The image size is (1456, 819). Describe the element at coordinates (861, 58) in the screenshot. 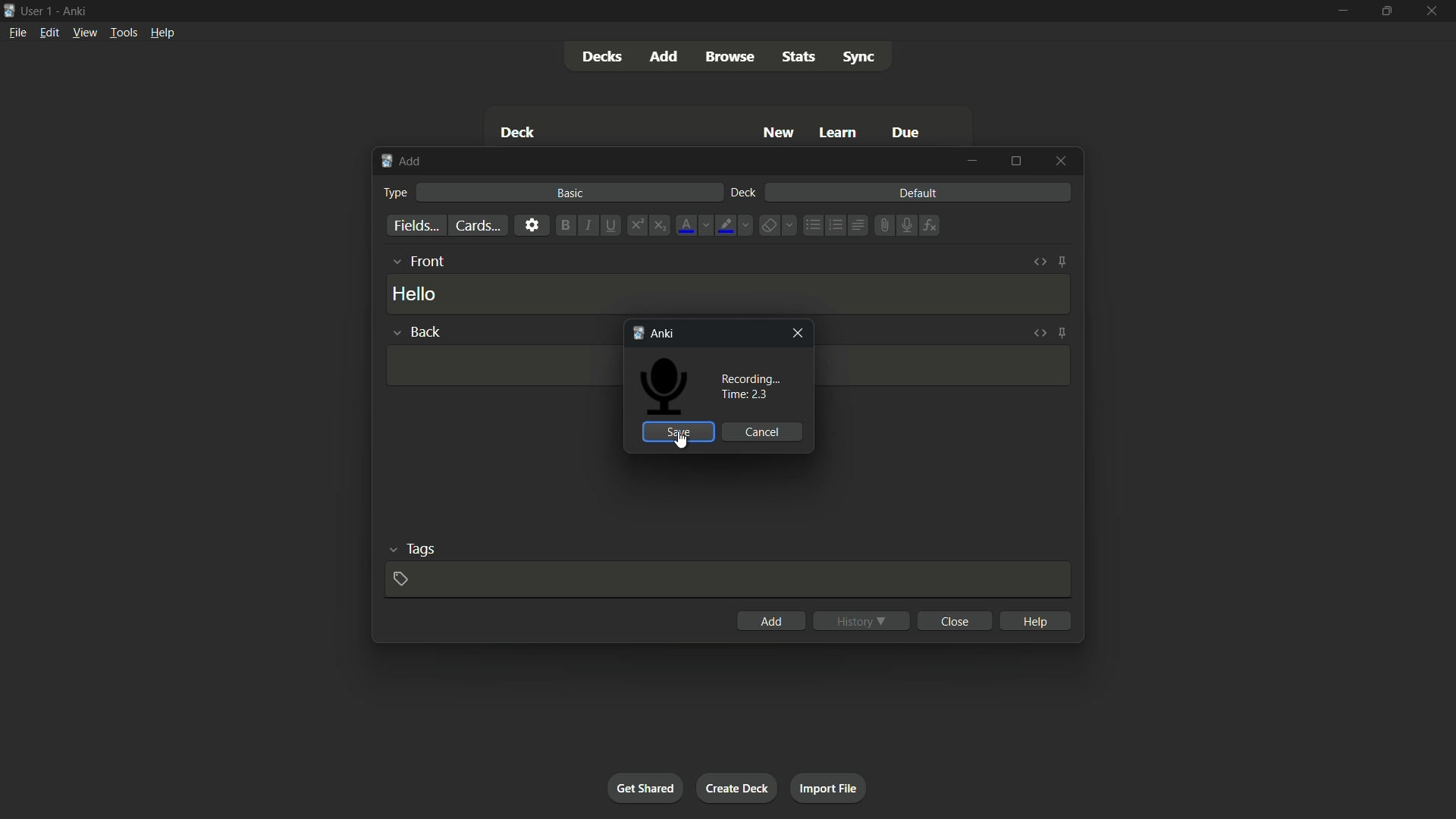

I see `sync` at that location.